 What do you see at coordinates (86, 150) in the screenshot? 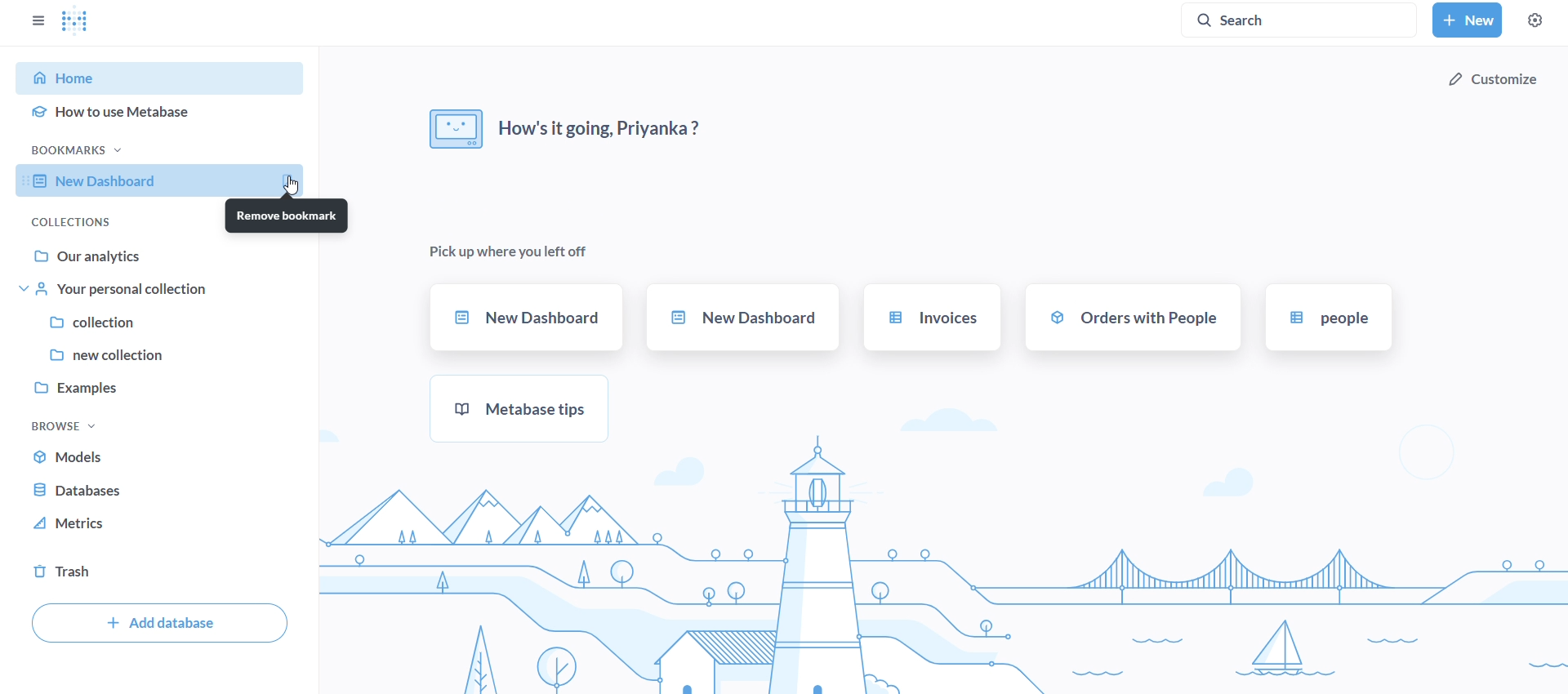
I see `bookmarks` at bounding box center [86, 150].